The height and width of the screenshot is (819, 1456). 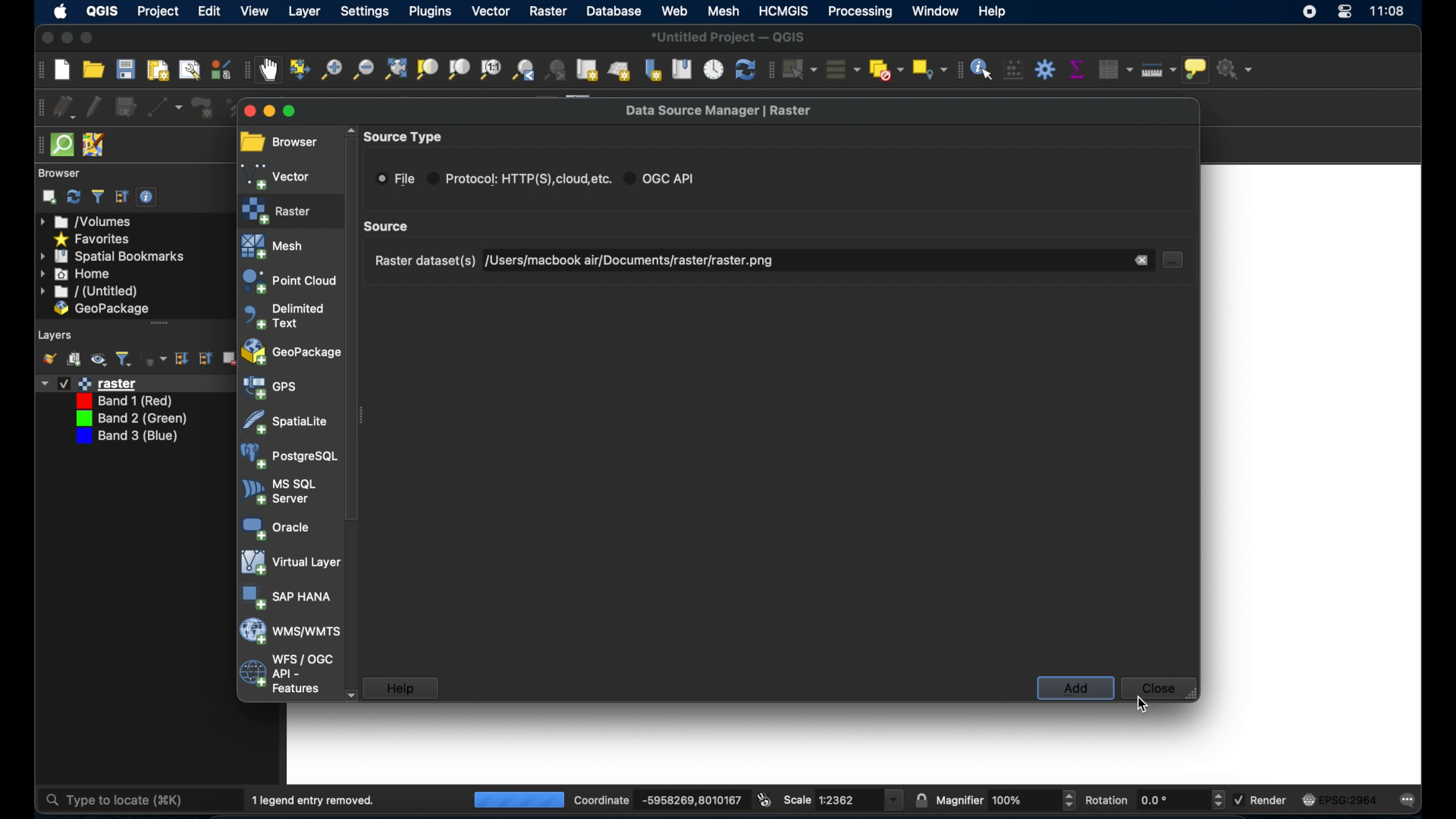 What do you see at coordinates (1107, 799) in the screenshot?
I see `rotations` at bounding box center [1107, 799].